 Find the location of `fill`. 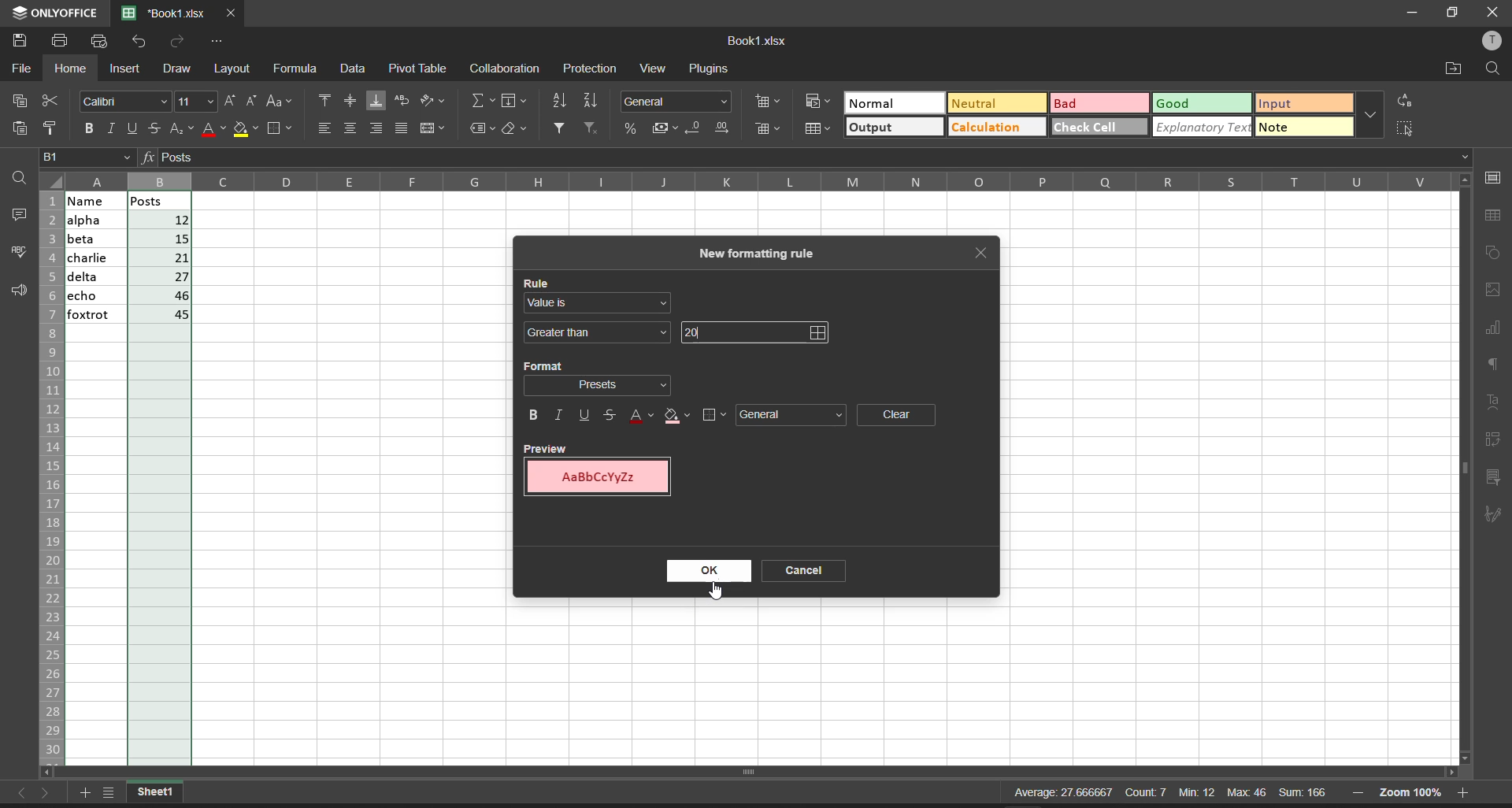

fill is located at coordinates (514, 101).